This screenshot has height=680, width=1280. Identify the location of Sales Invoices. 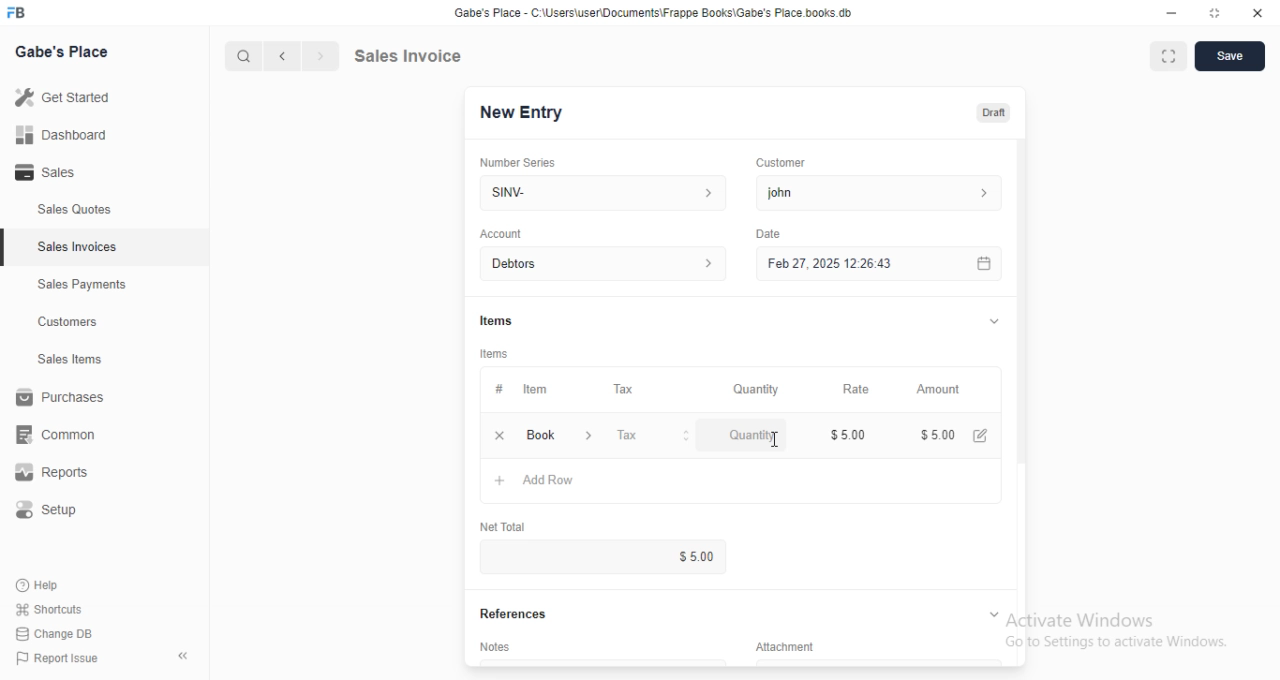
(80, 248).